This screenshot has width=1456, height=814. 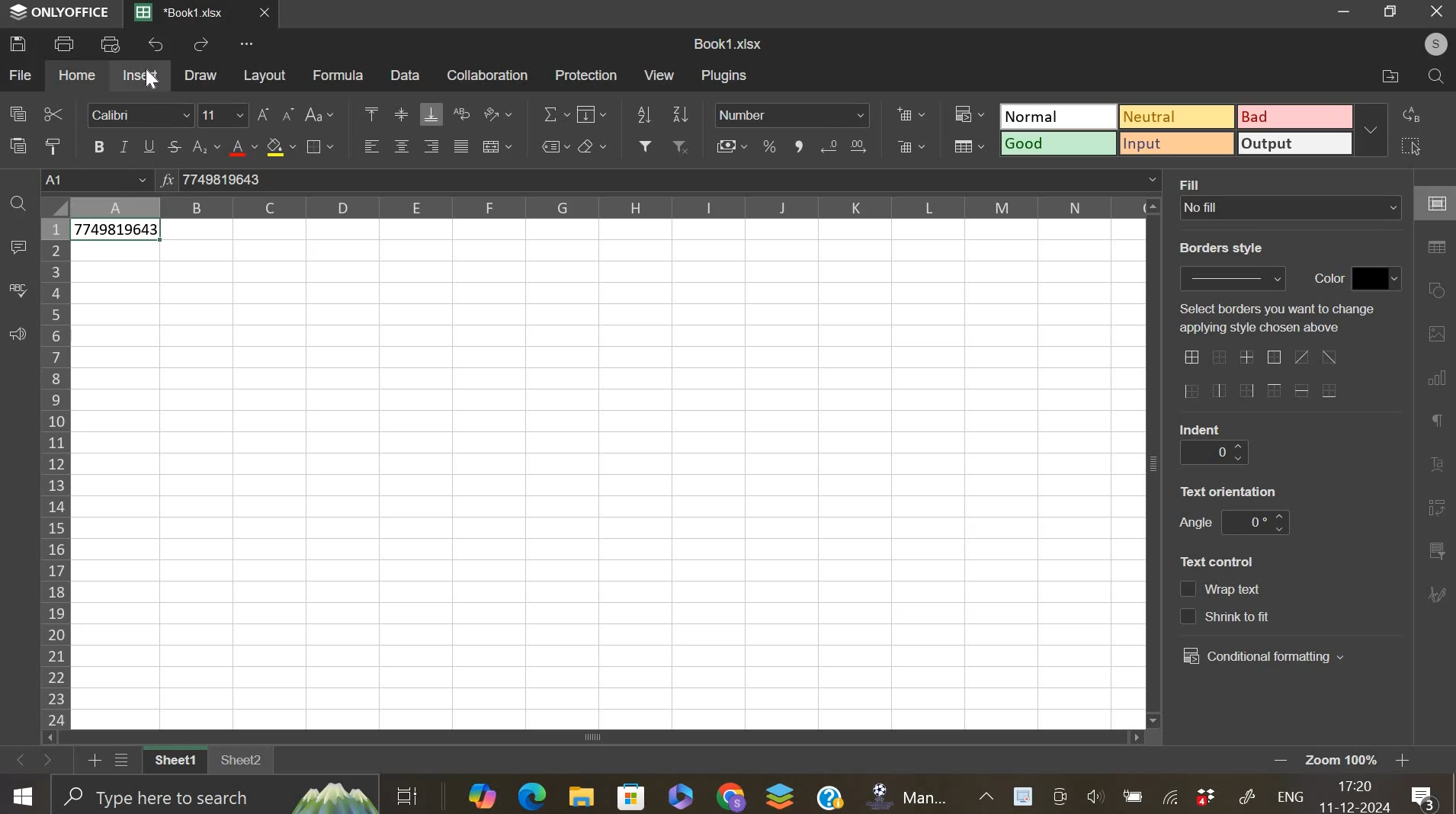 I want to click on column, so click(x=609, y=207).